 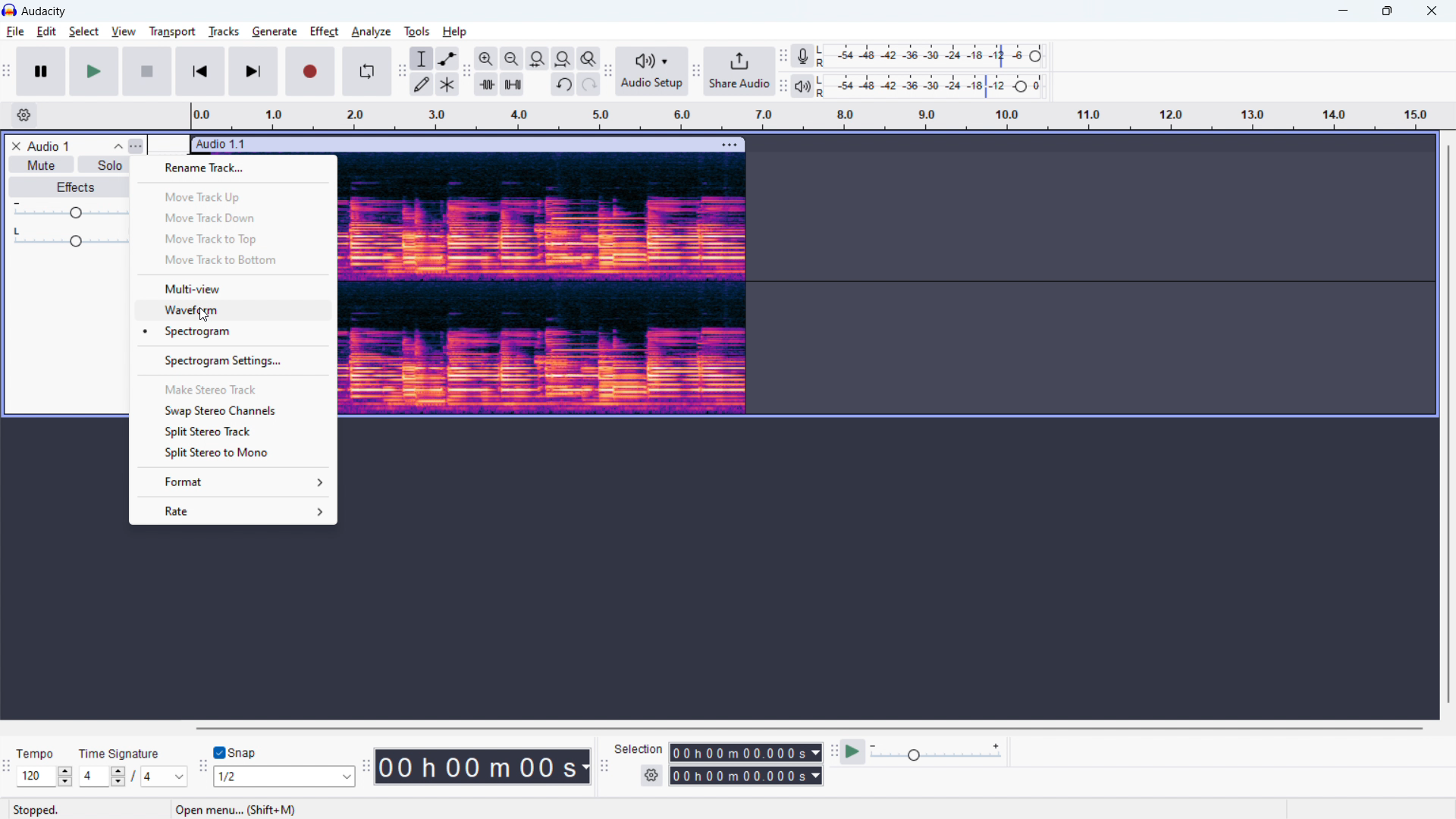 I want to click on undo, so click(x=563, y=84).